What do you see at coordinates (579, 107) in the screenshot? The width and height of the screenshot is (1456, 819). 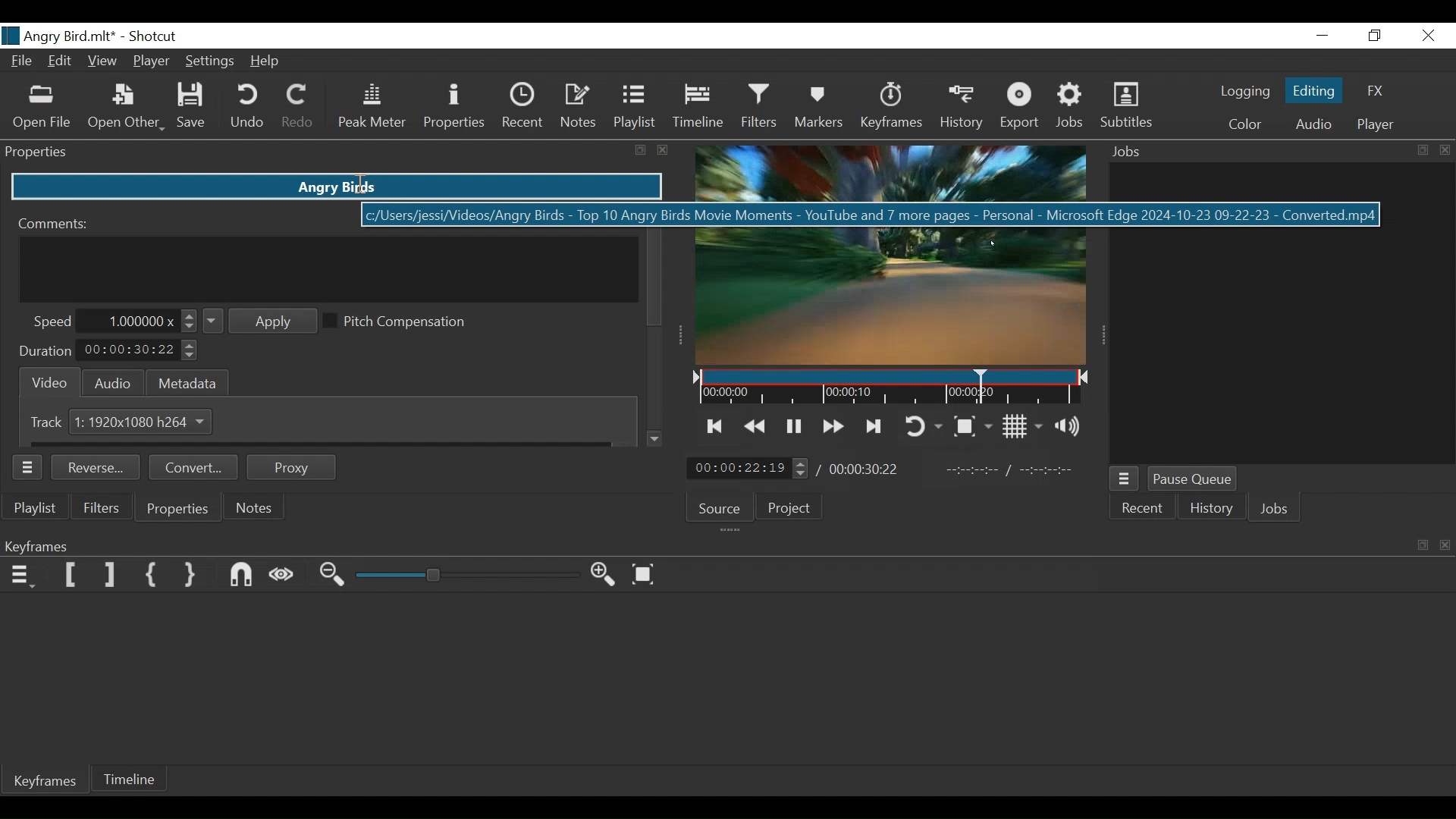 I see `Notes` at bounding box center [579, 107].